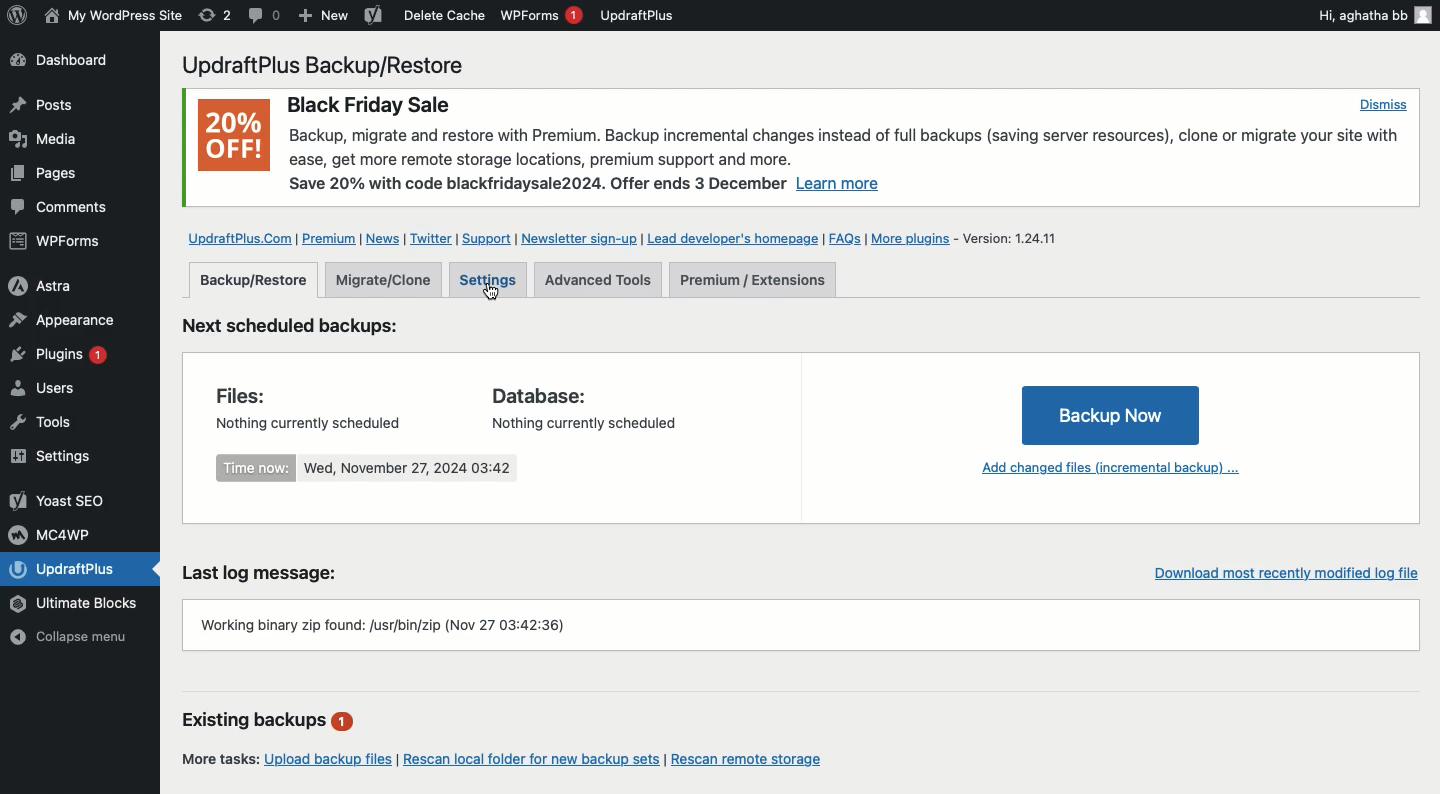 The width and height of the screenshot is (1440, 794). Describe the element at coordinates (40, 105) in the screenshot. I see `Posts` at that location.